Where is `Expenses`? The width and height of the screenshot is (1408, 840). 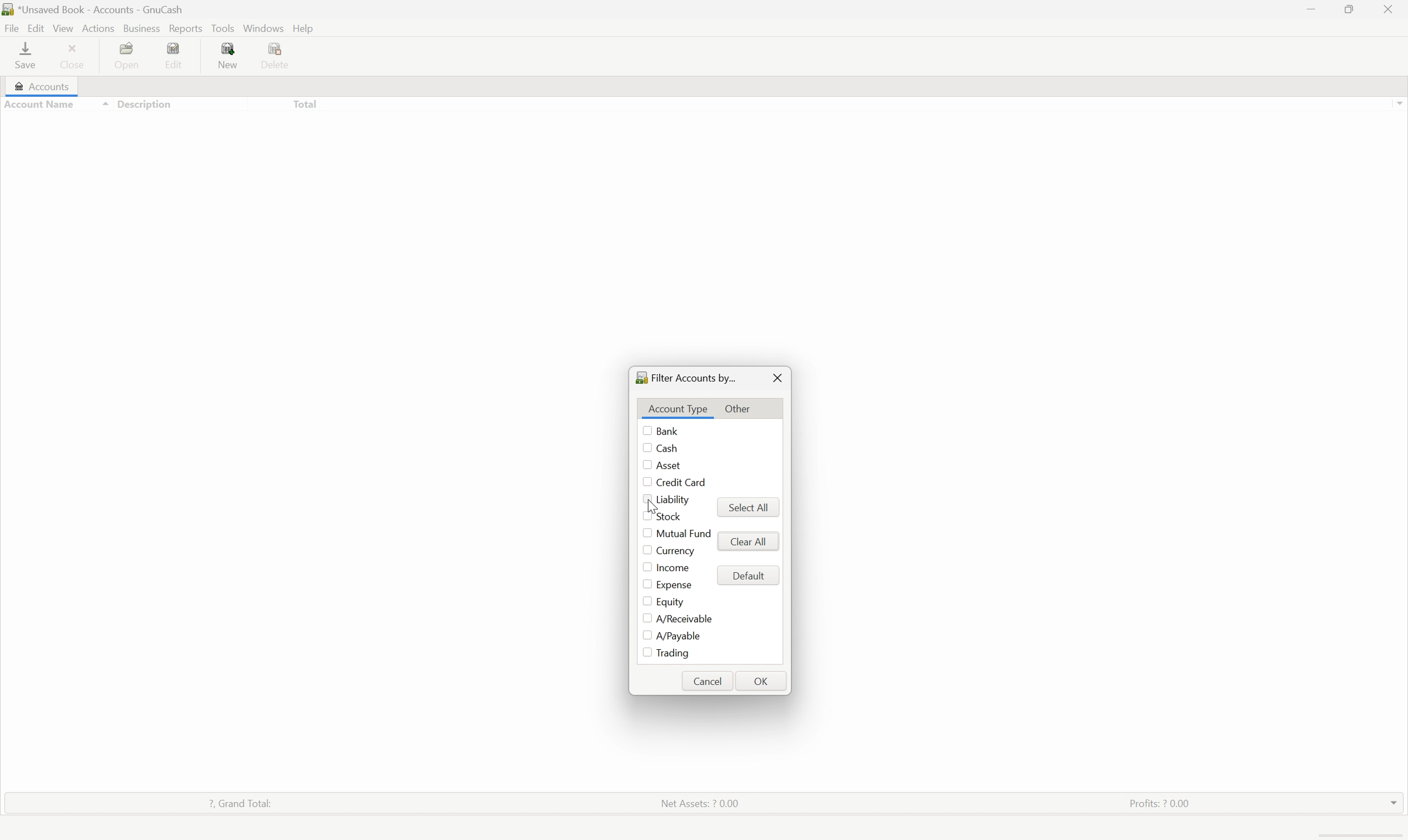
Expenses is located at coordinates (135, 154).